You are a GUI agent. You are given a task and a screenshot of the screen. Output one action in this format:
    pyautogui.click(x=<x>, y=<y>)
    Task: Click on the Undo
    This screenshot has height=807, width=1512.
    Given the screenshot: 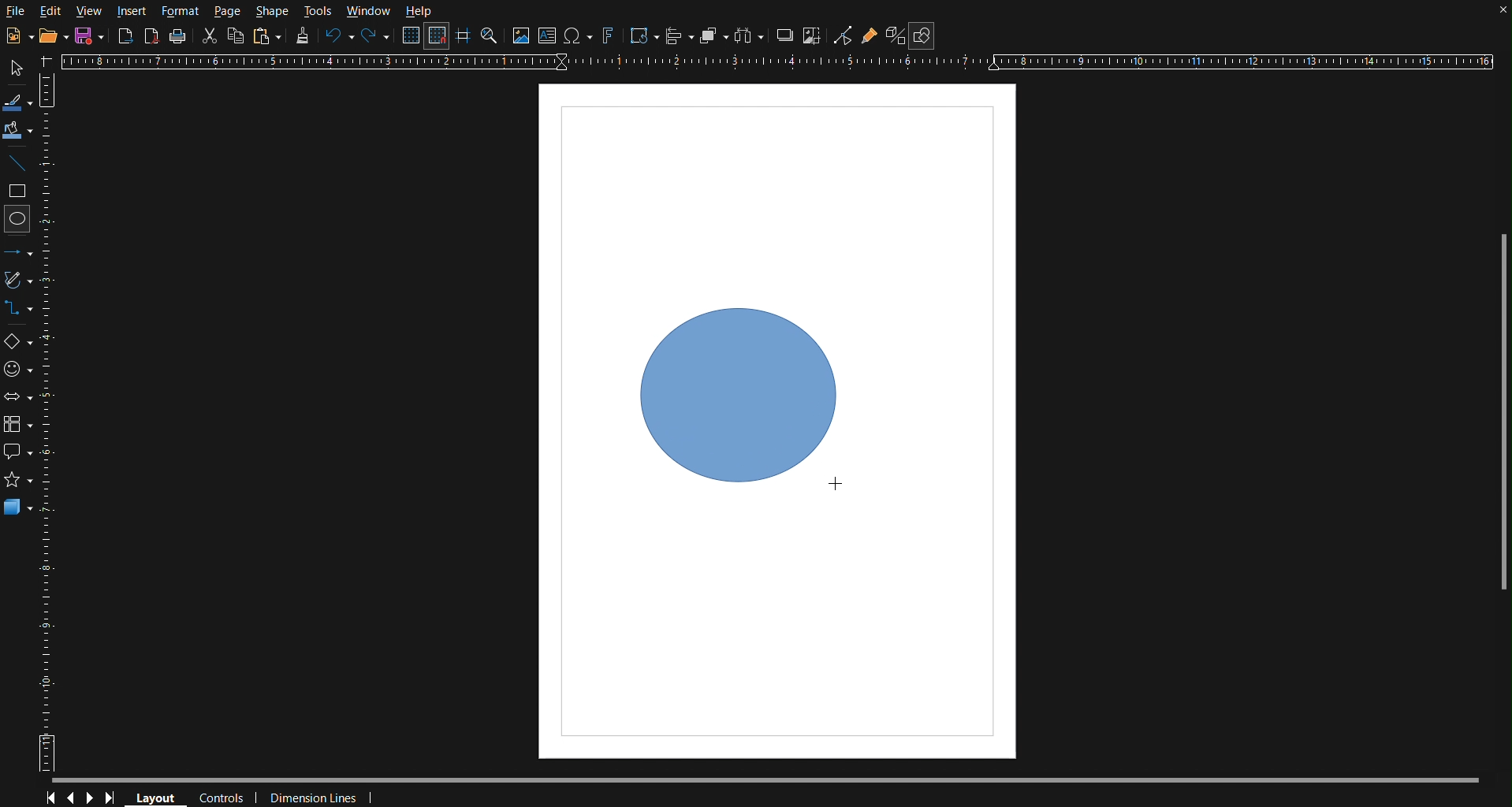 What is the action you would take?
    pyautogui.click(x=339, y=39)
    